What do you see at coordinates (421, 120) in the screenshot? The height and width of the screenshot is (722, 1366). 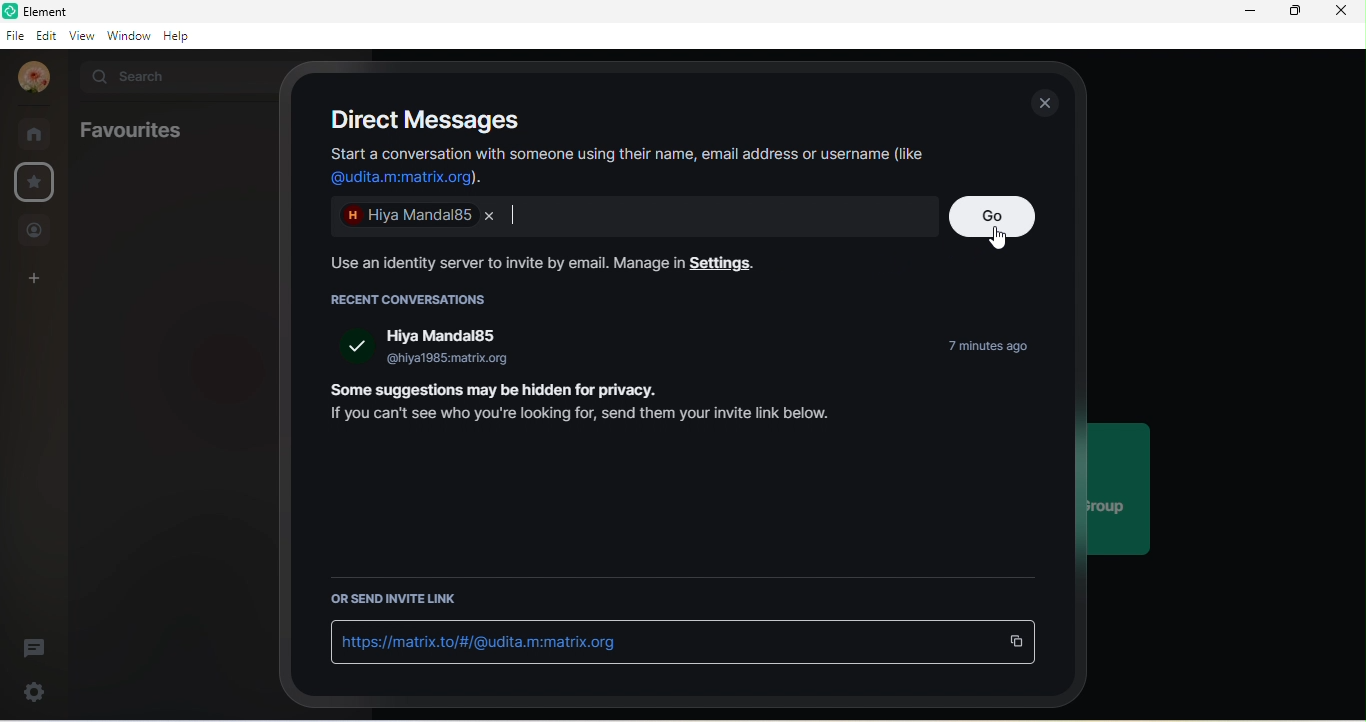 I see `direct messages` at bounding box center [421, 120].